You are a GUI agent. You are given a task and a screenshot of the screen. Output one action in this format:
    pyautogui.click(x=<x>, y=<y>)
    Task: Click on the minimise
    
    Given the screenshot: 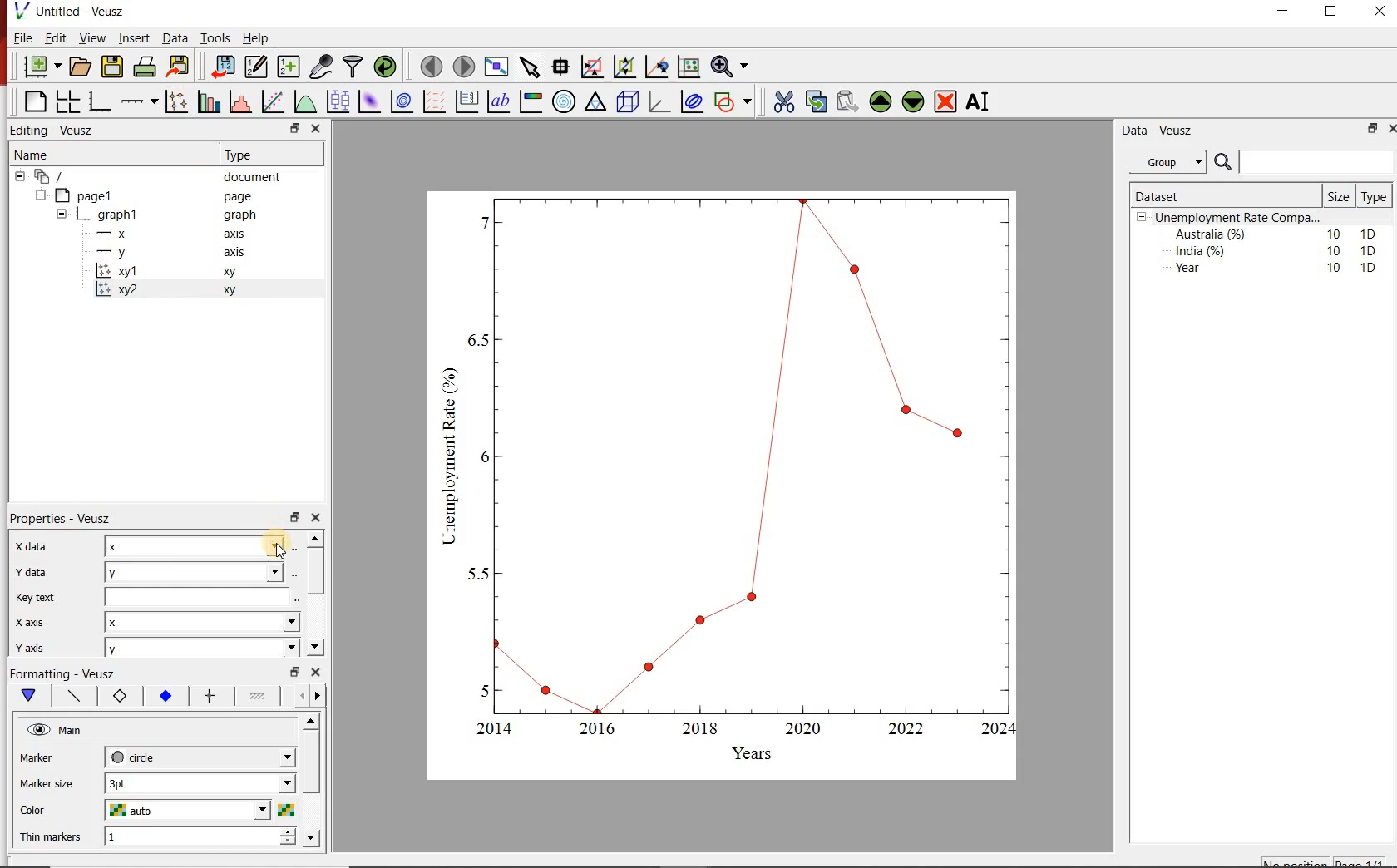 What is the action you would take?
    pyautogui.click(x=1287, y=15)
    